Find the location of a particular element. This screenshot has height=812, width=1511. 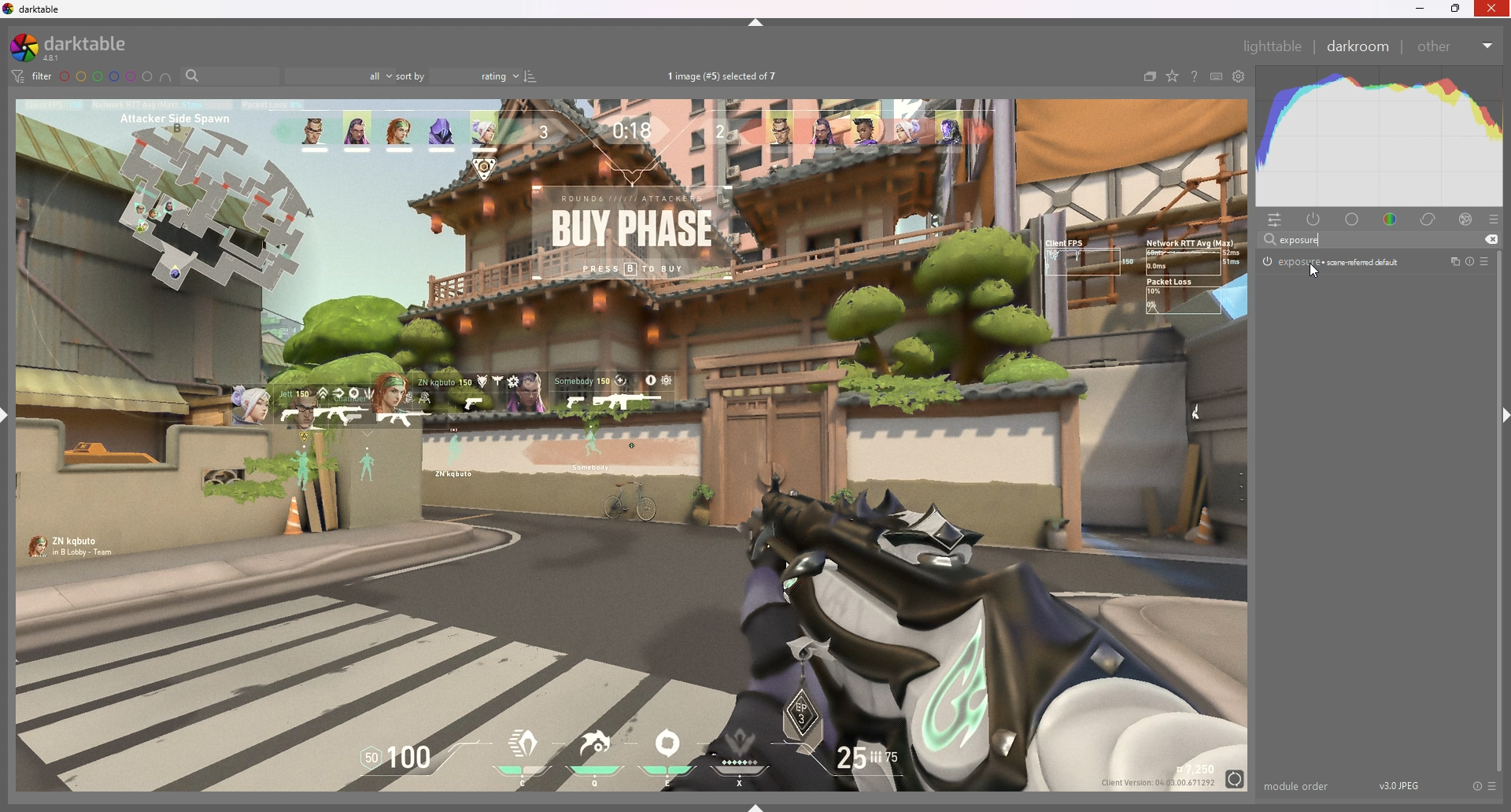

reverse sort is located at coordinates (531, 76).